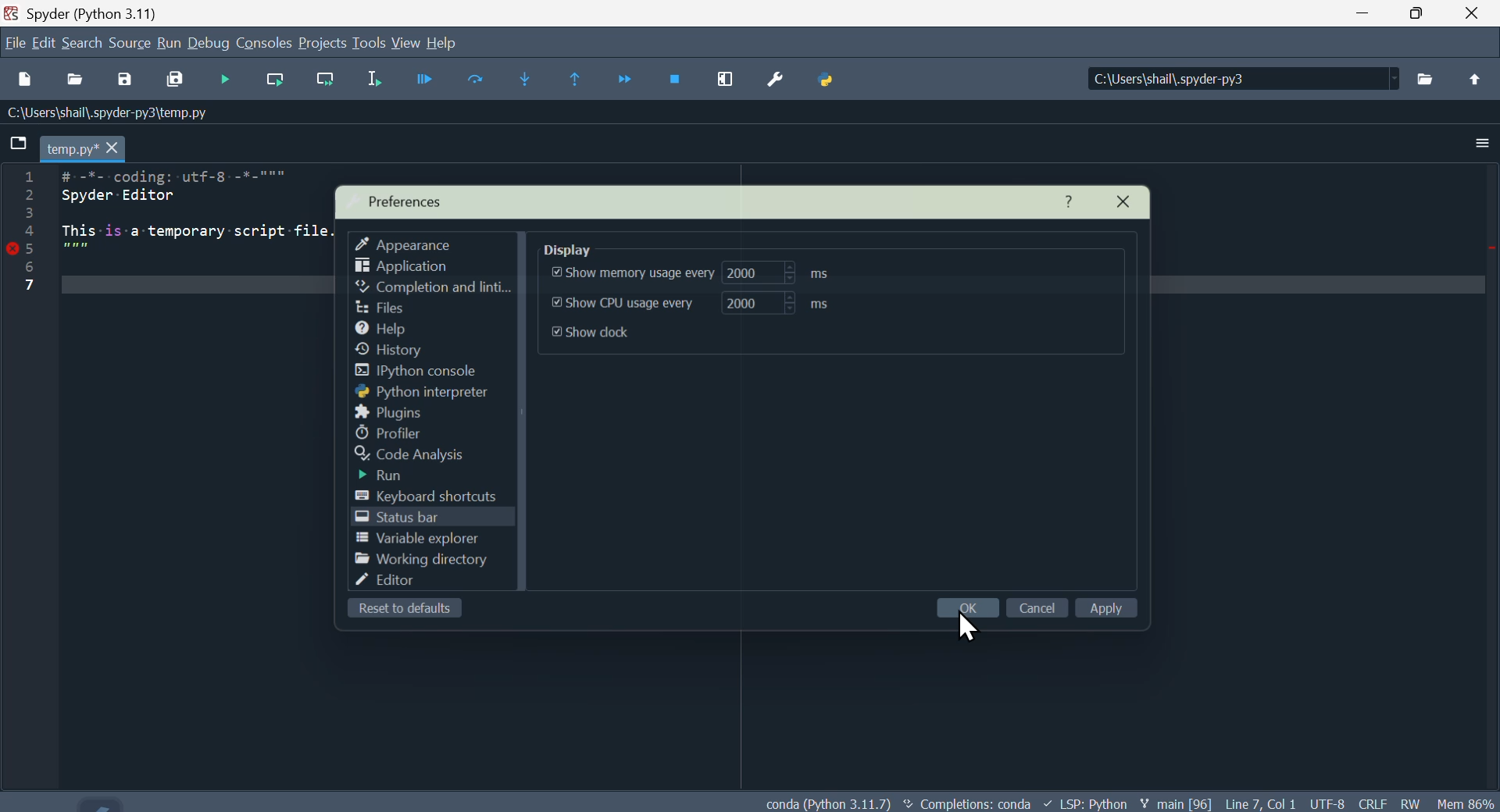 This screenshot has height=812, width=1500. I want to click on Status bar, so click(400, 520).